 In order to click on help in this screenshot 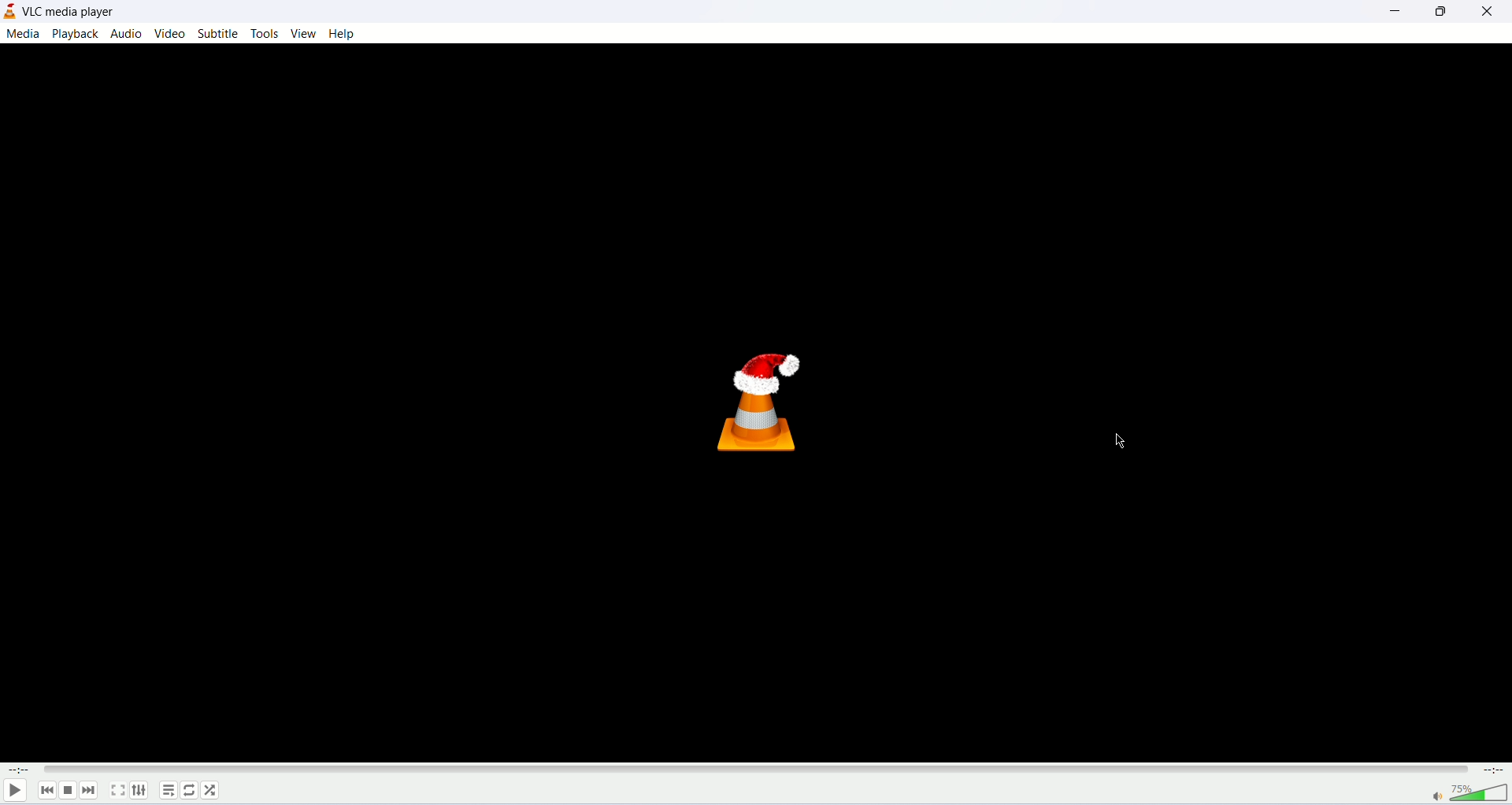, I will do `click(346, 35)`.